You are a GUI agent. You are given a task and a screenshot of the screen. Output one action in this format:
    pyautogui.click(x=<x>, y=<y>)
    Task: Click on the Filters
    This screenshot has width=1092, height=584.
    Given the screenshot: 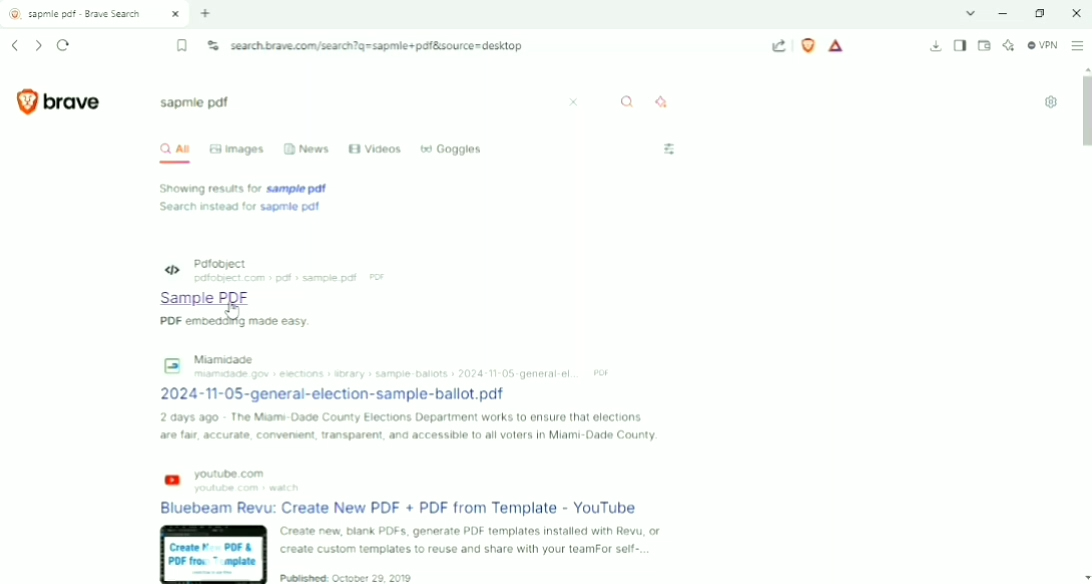 What is the action you would take?
    pyautogui.click(x=670, y=149)
    